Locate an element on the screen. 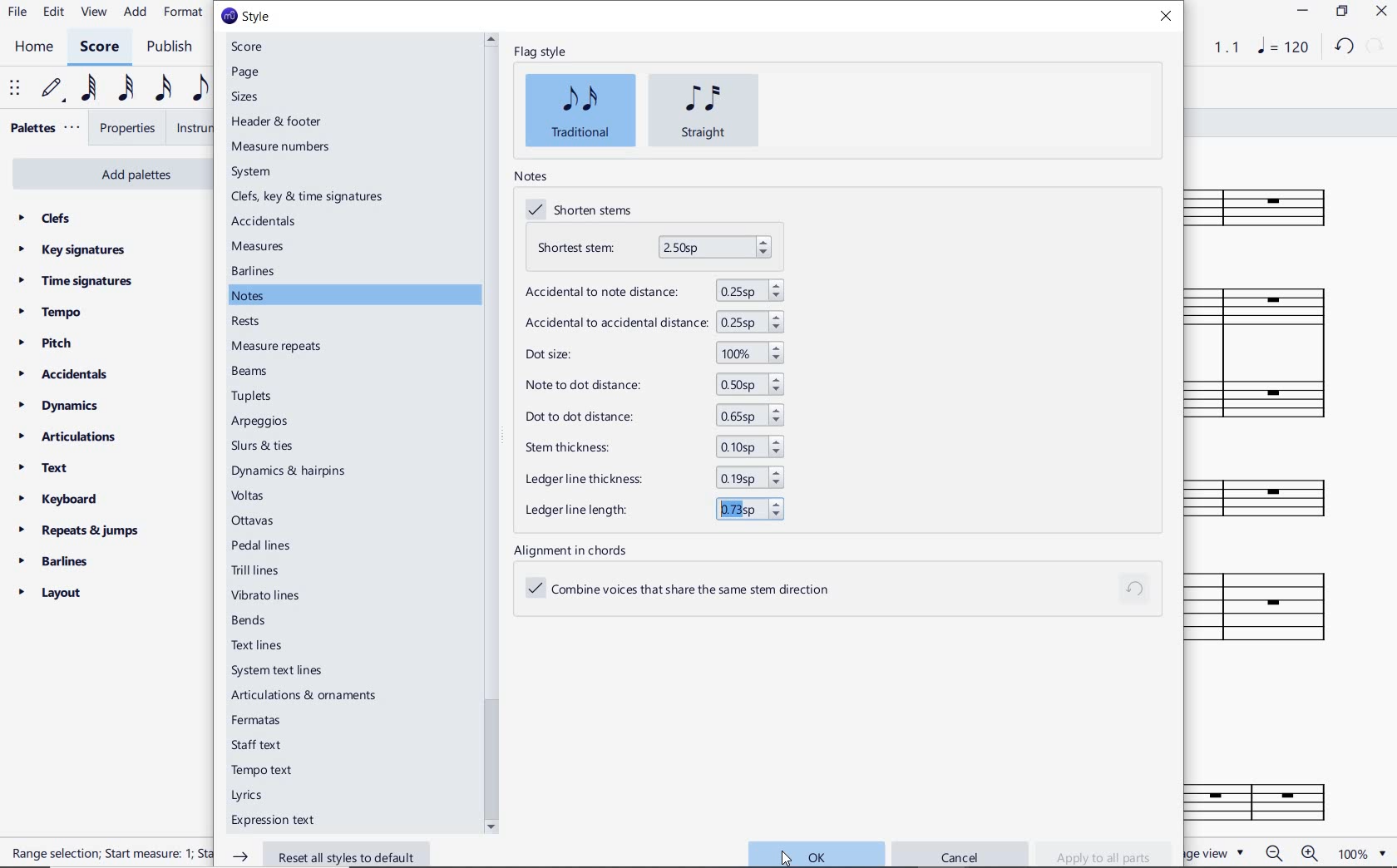 The width and height of the screenshot is (1397, 868). repeats & jumps is located at coordinates (84, 531).